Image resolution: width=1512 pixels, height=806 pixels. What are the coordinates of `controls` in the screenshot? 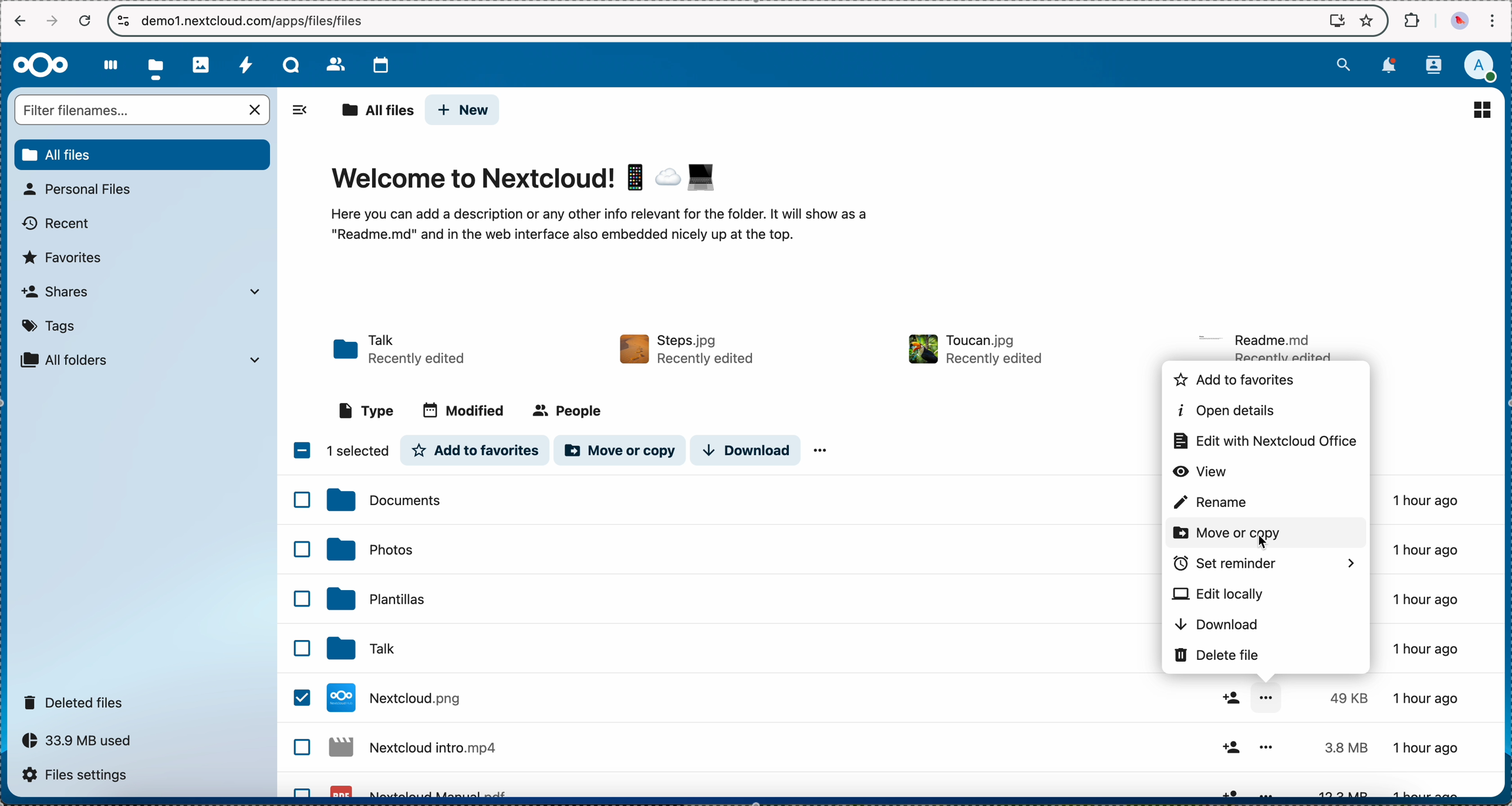 It's located at (124, 21).